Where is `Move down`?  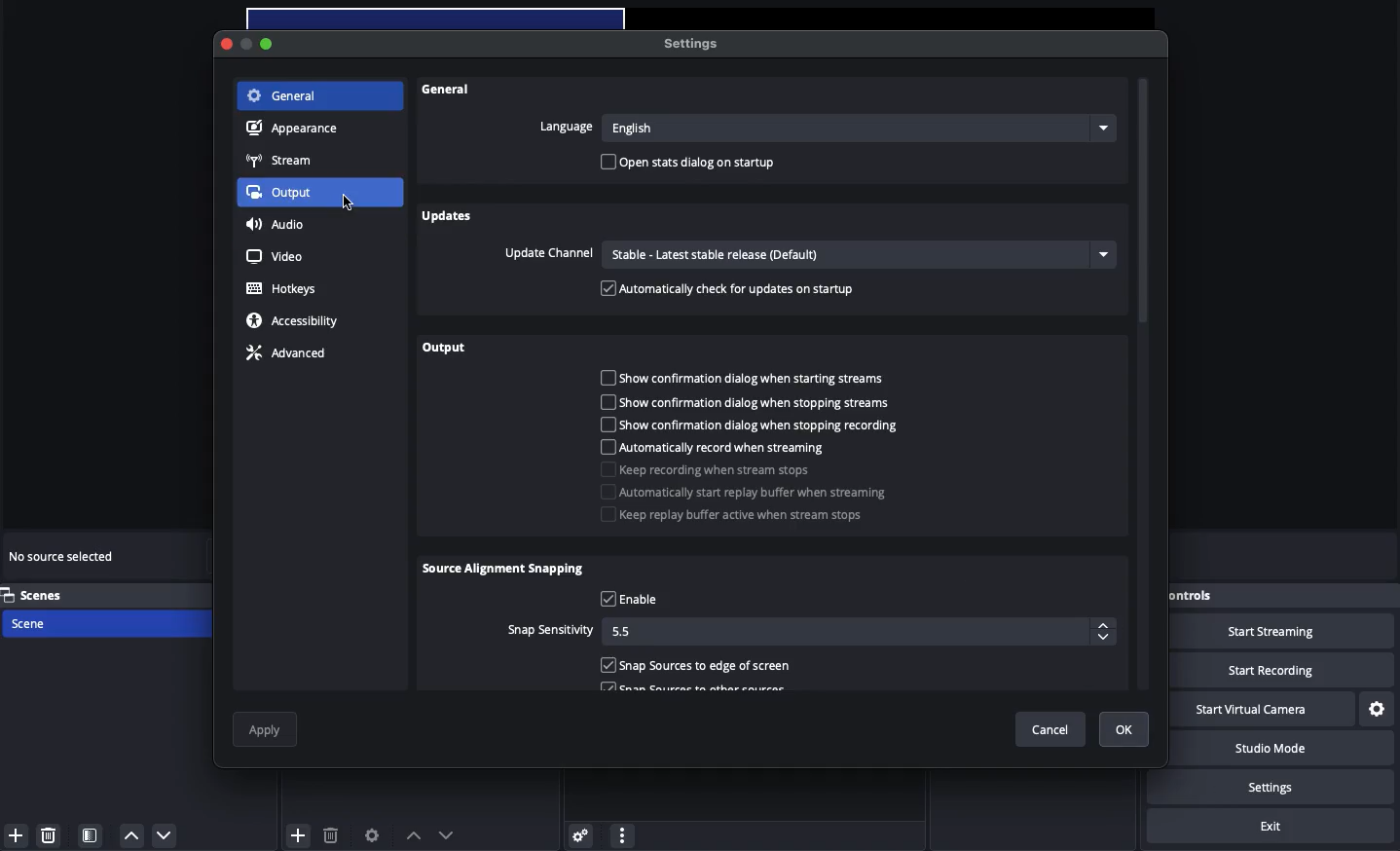 Move down is located at coordinates (446, 834).